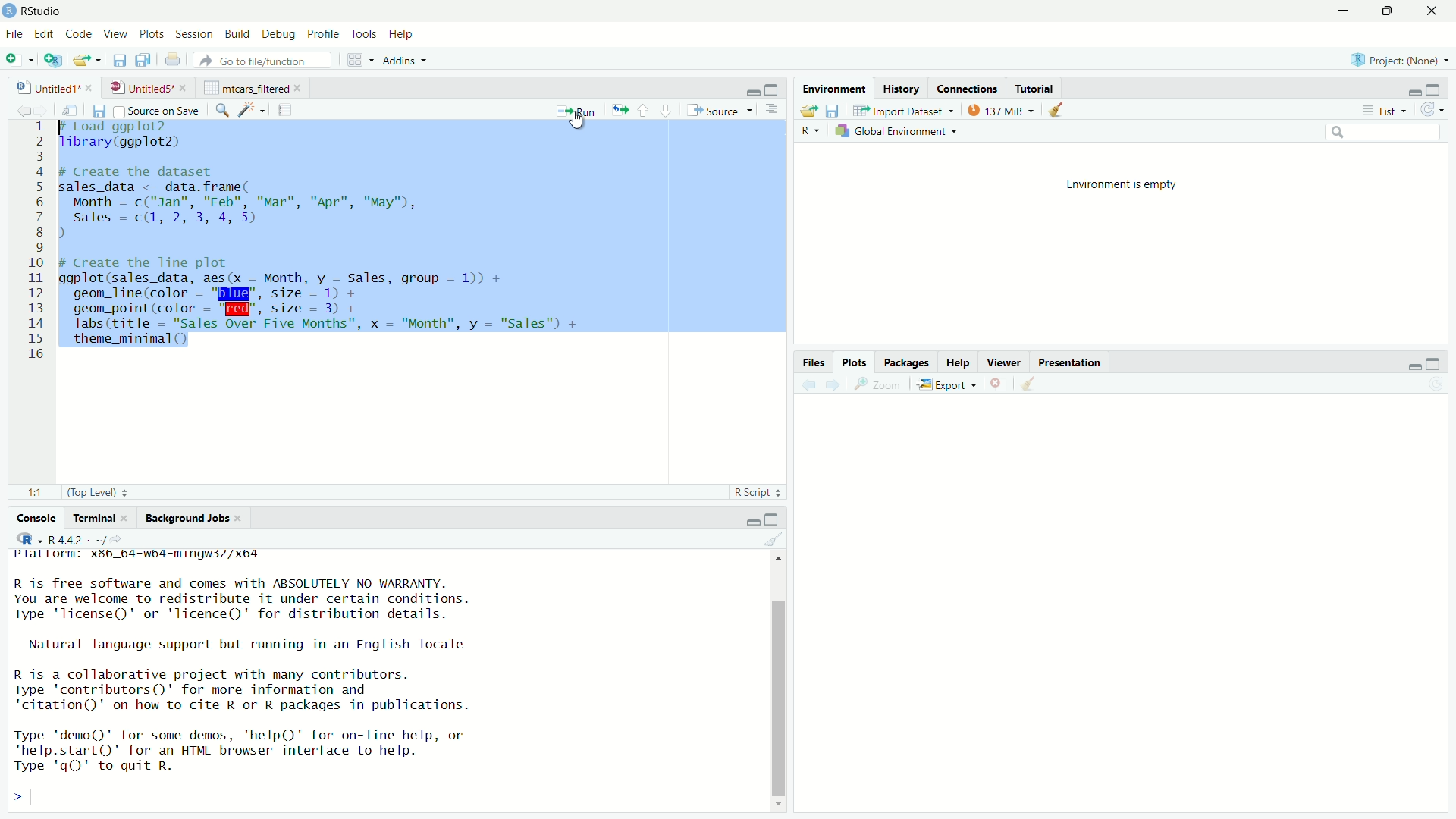  Describe the element at coordinates (187, 519) in the screenshot. I see `Background Jobs` at that location.